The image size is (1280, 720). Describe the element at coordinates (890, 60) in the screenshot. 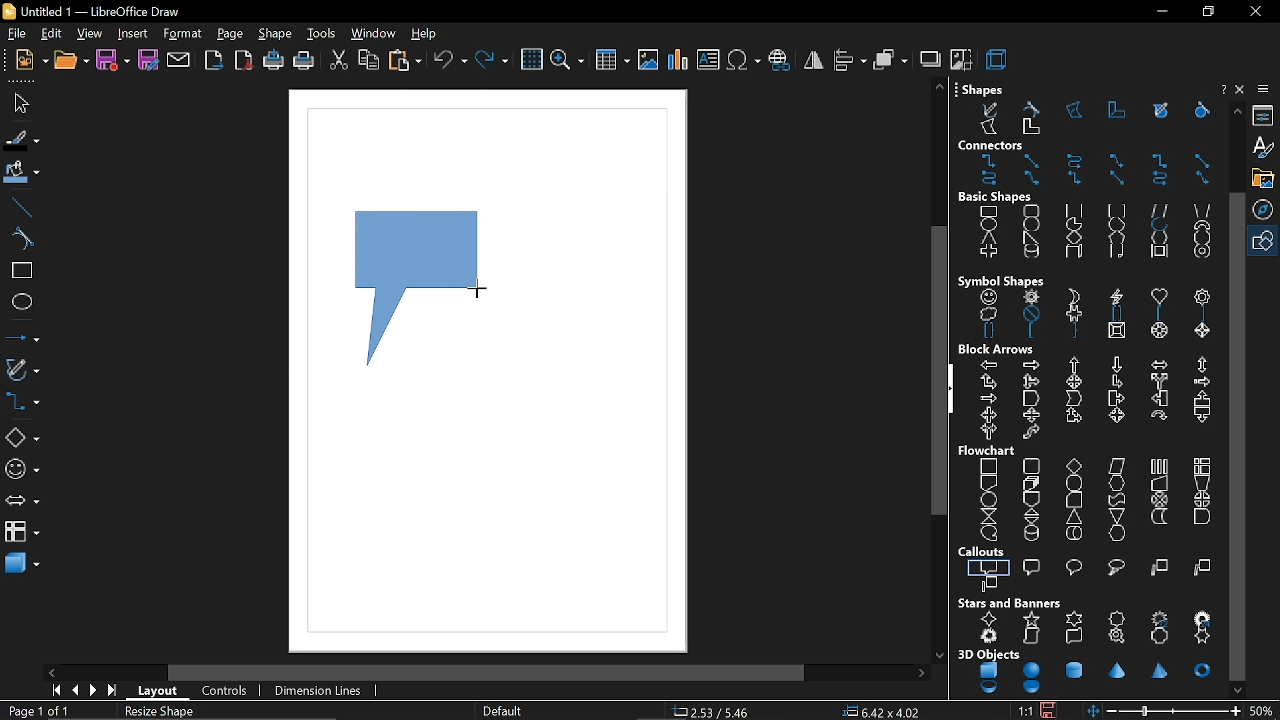

I see `arrange` at that location.